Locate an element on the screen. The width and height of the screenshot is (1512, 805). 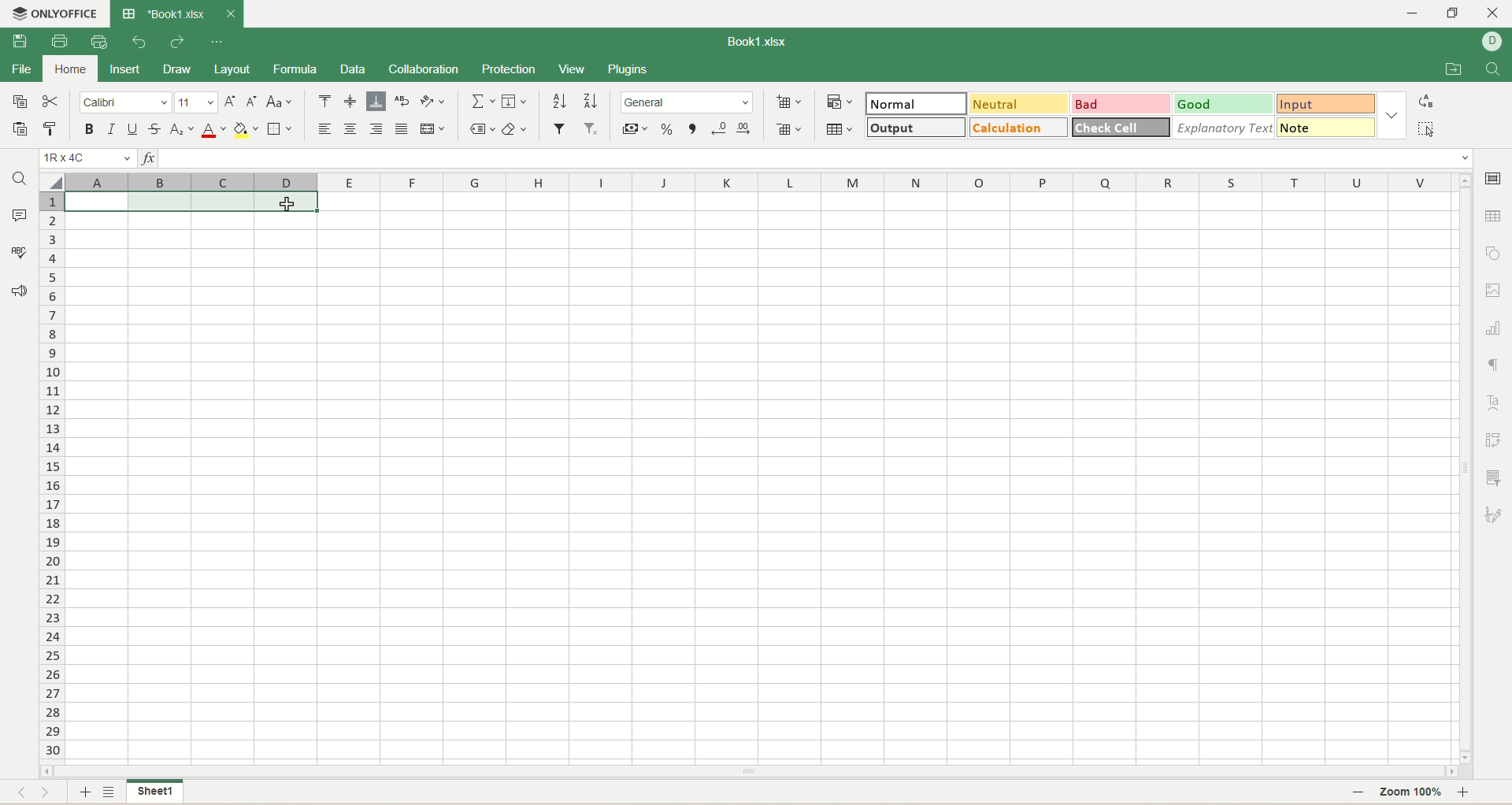
percent format is located at coordinates (667, 127).